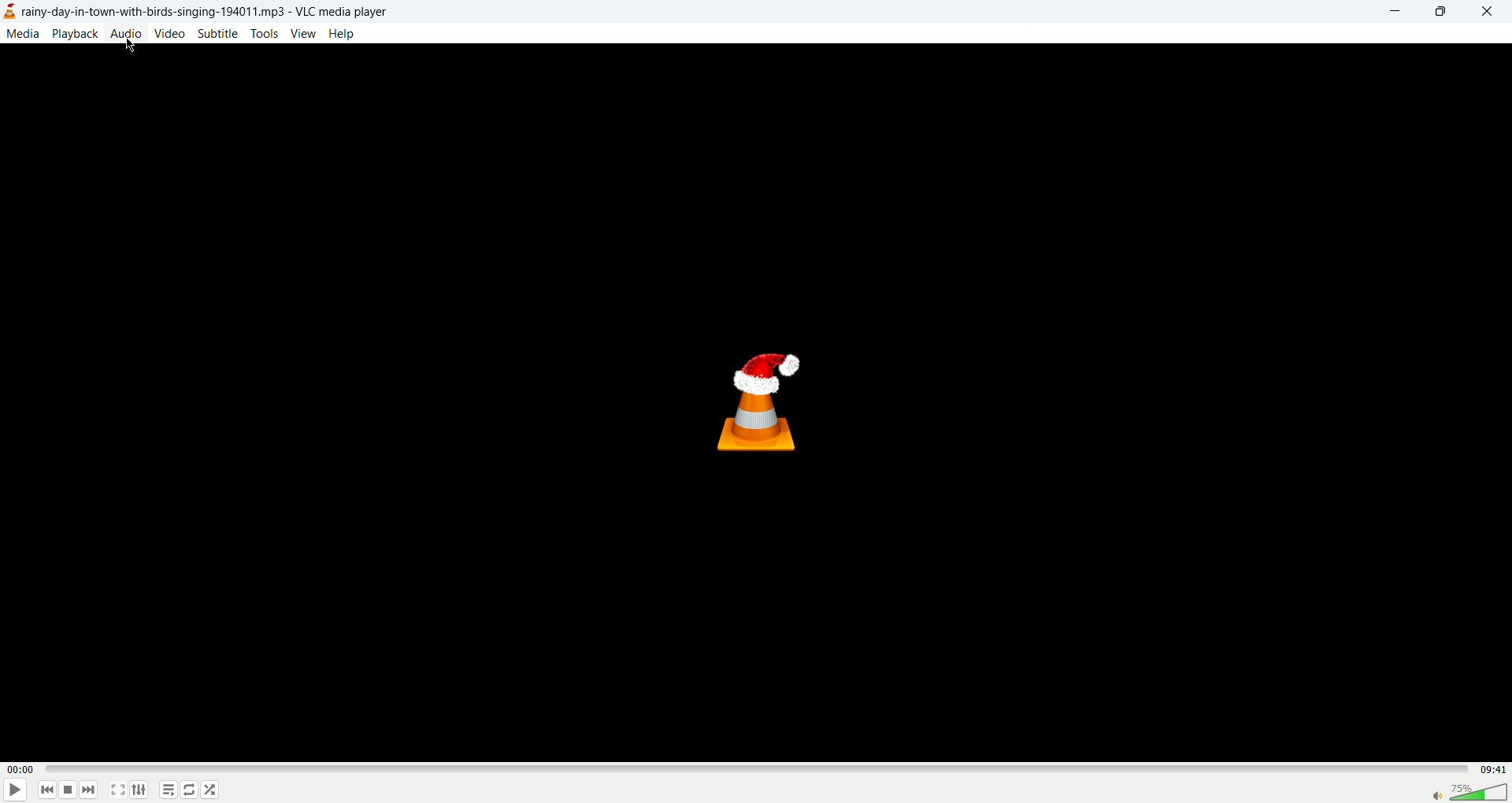 The image size is (1512, 803). Describe the element at coordinates (69, 790) in the screenshot. I see `stop` at that location.